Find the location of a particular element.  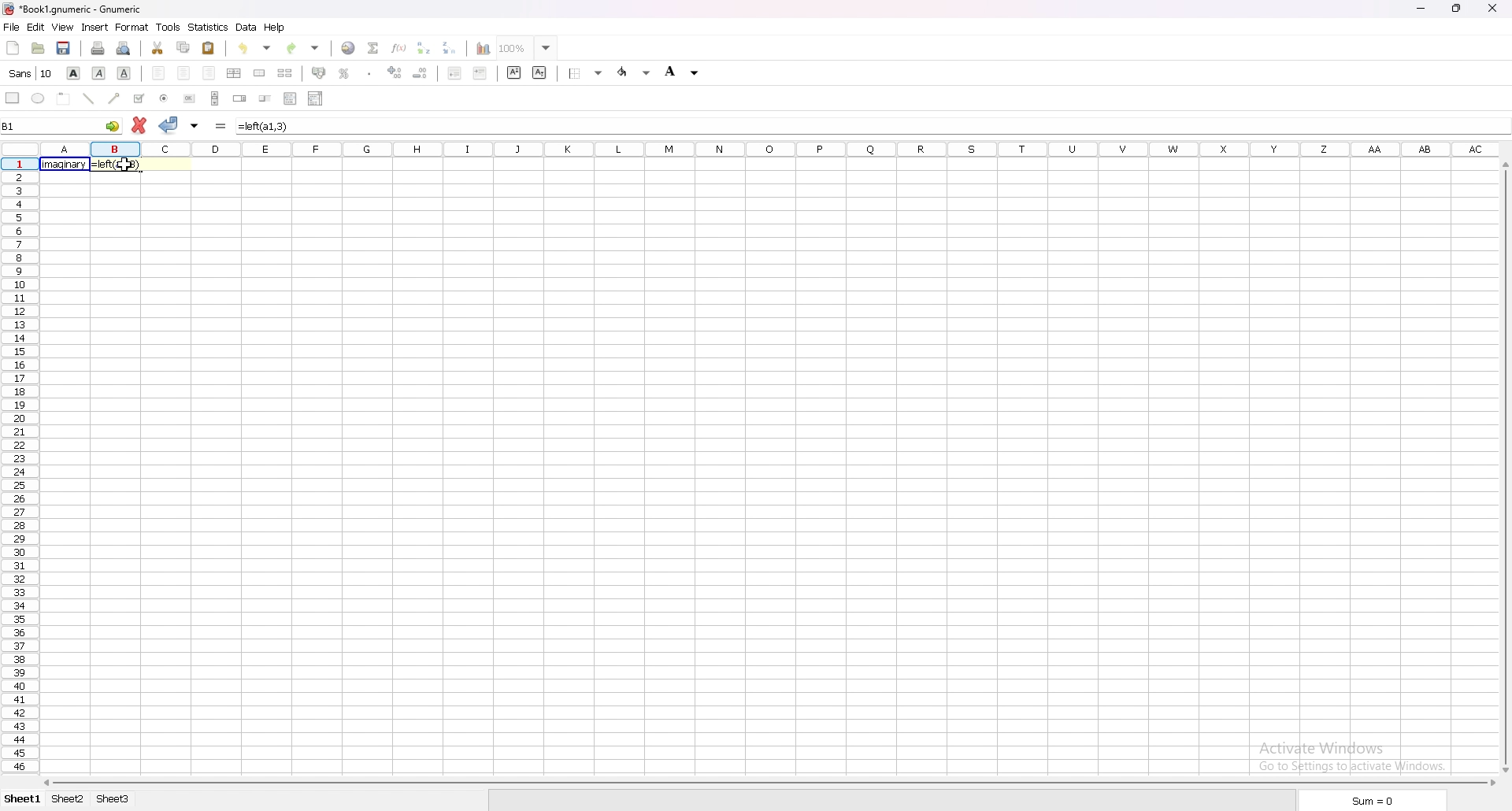

accept changes is located at coordinates (169, 124).